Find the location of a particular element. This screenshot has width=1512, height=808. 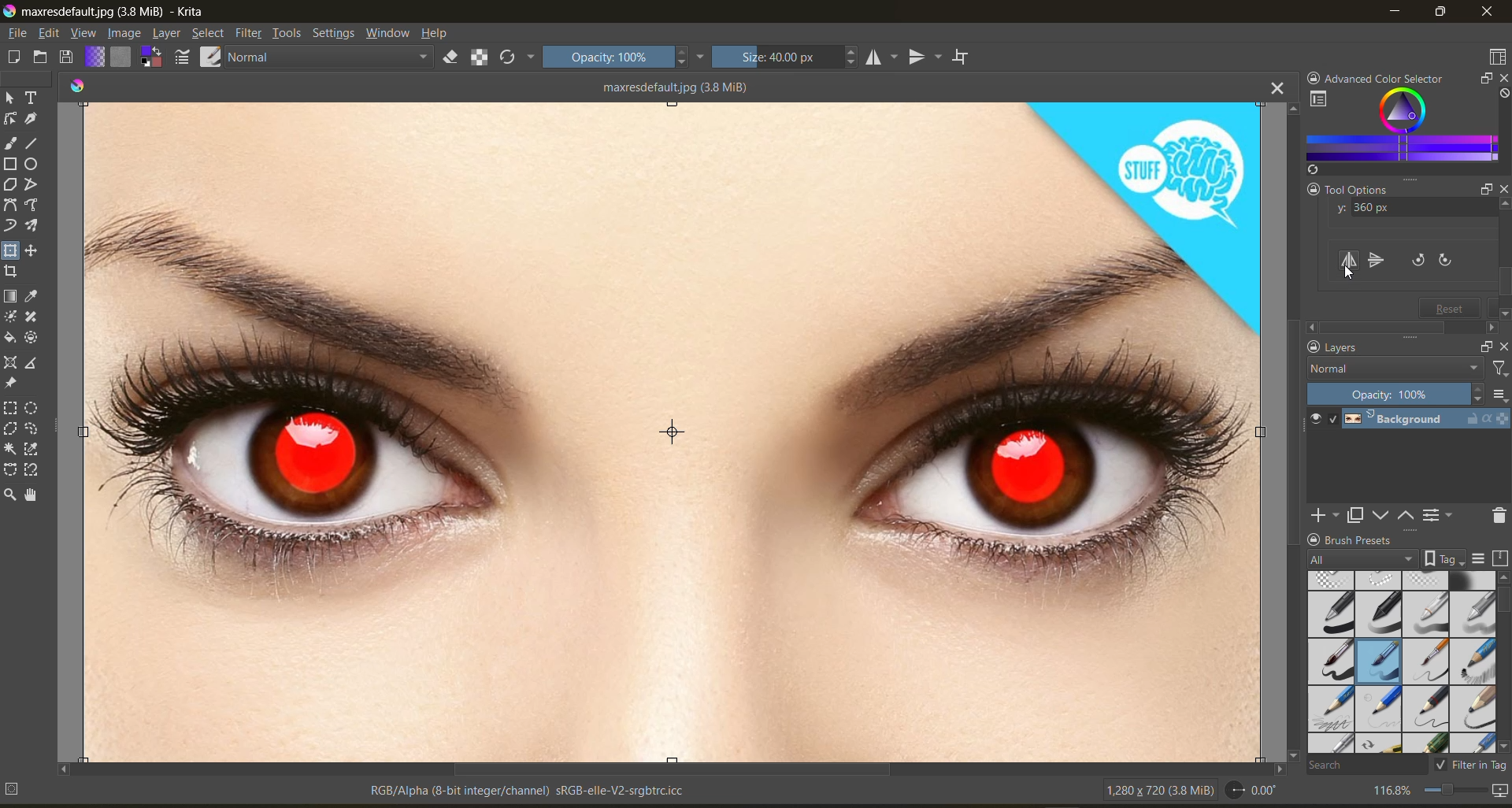

storage resources is located at coordinates (1499, 558).